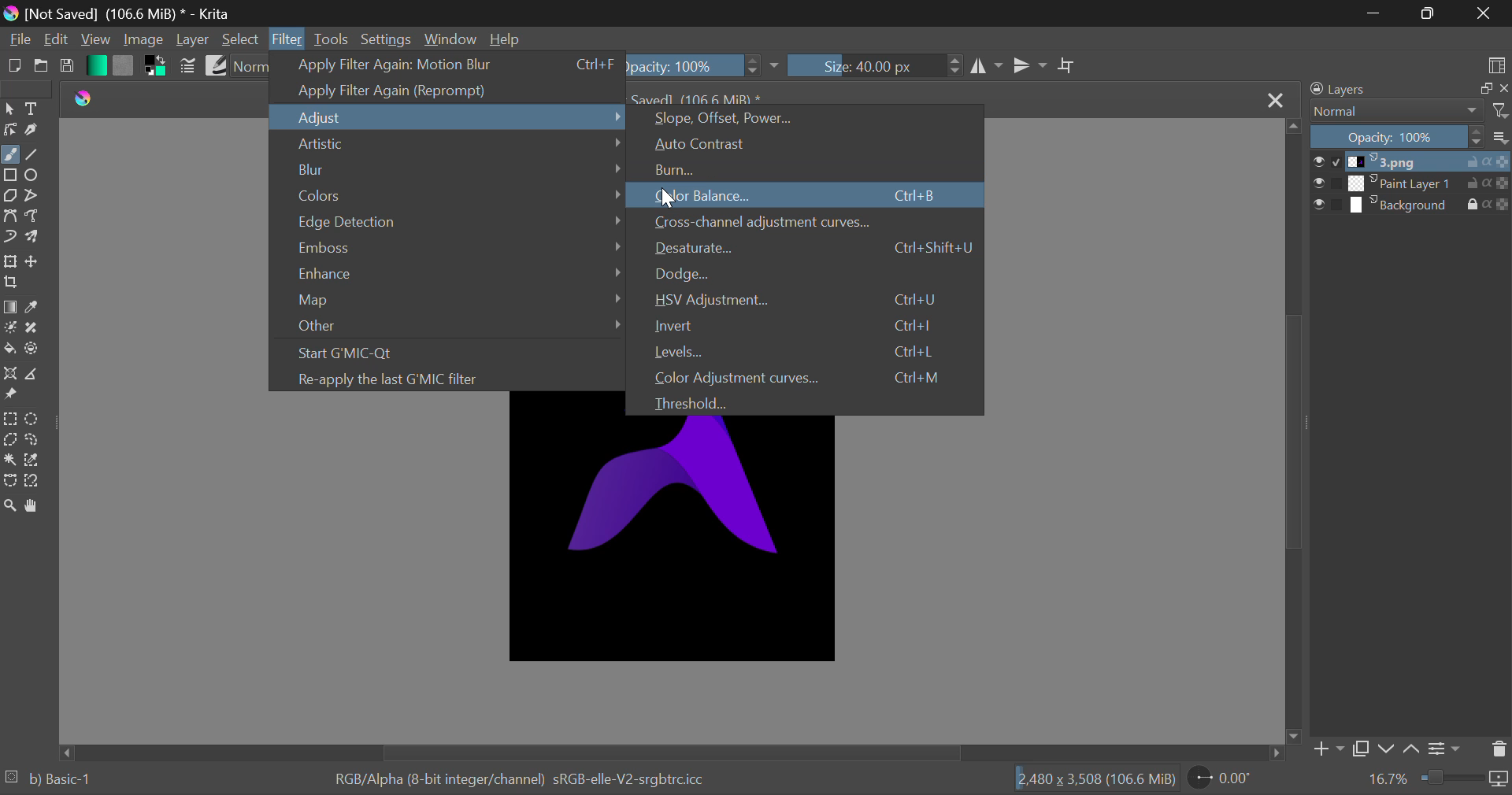 Image resolution: width=1512 pixels, height=795 pixels. Describe the element at coordinates (1375, 13) in the screenshot. I see `Restore Down` at that location.